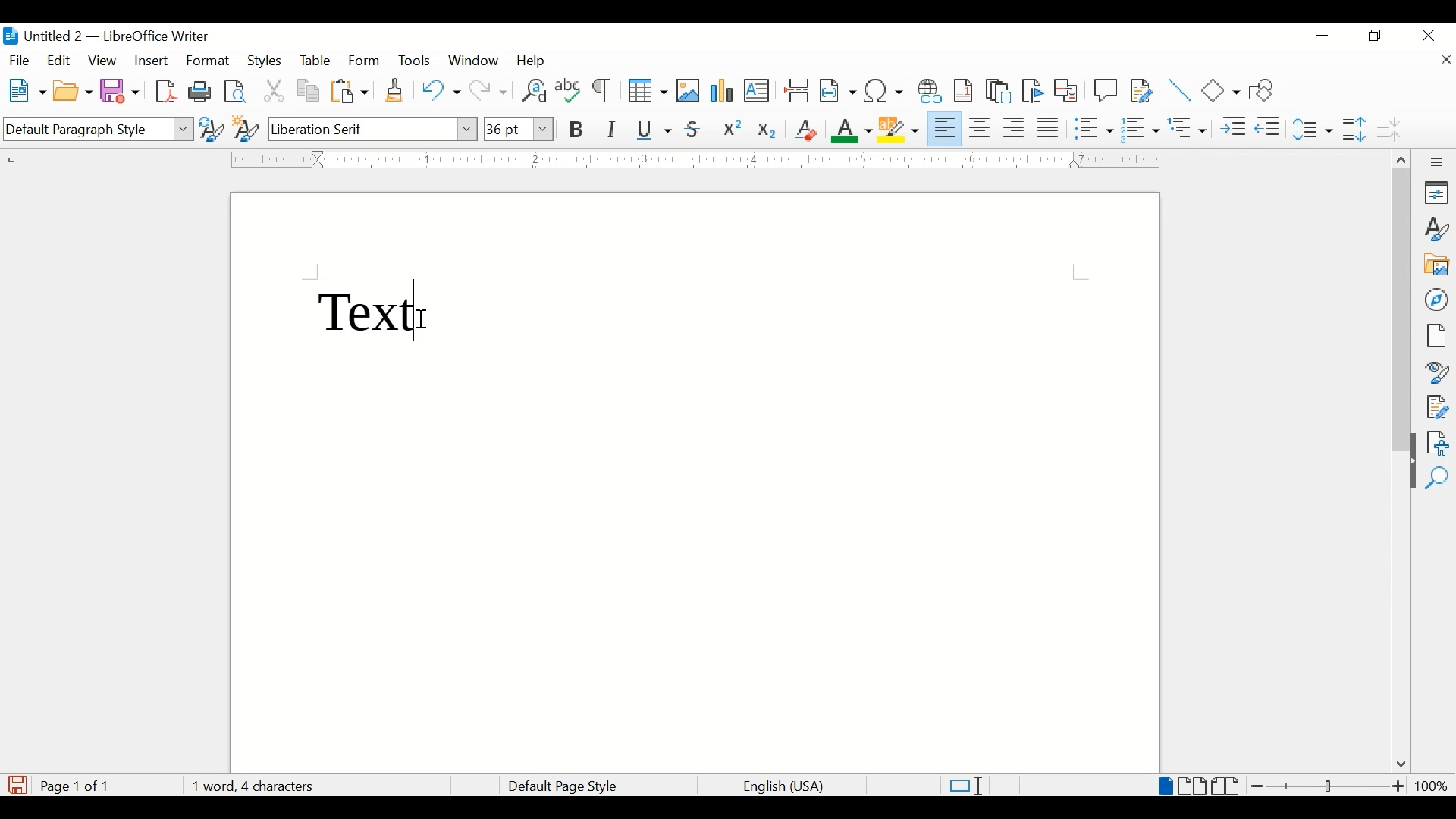  I want to click on manage changes, so click(1437, 407).